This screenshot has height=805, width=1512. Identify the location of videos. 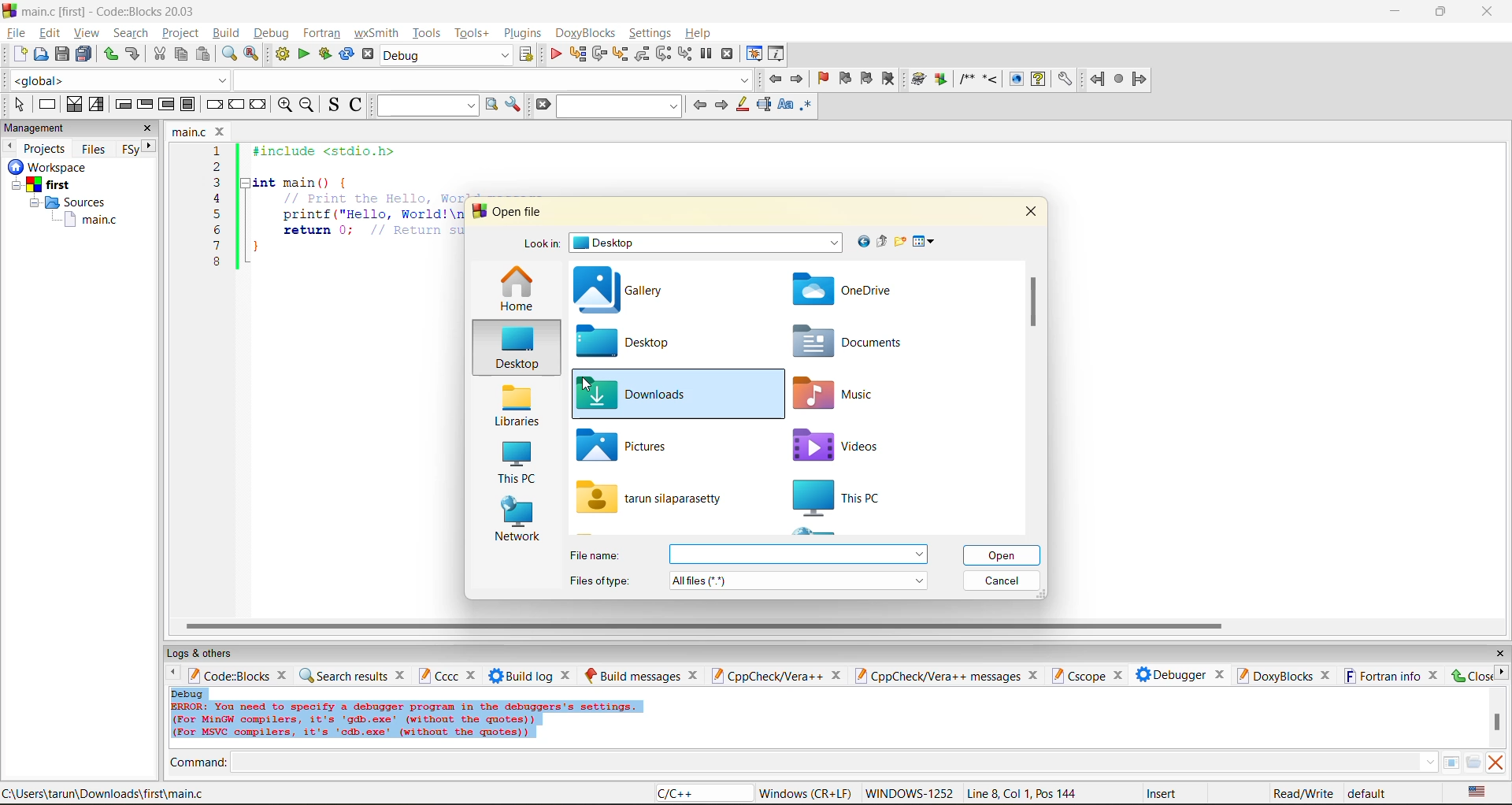
(848, 444).